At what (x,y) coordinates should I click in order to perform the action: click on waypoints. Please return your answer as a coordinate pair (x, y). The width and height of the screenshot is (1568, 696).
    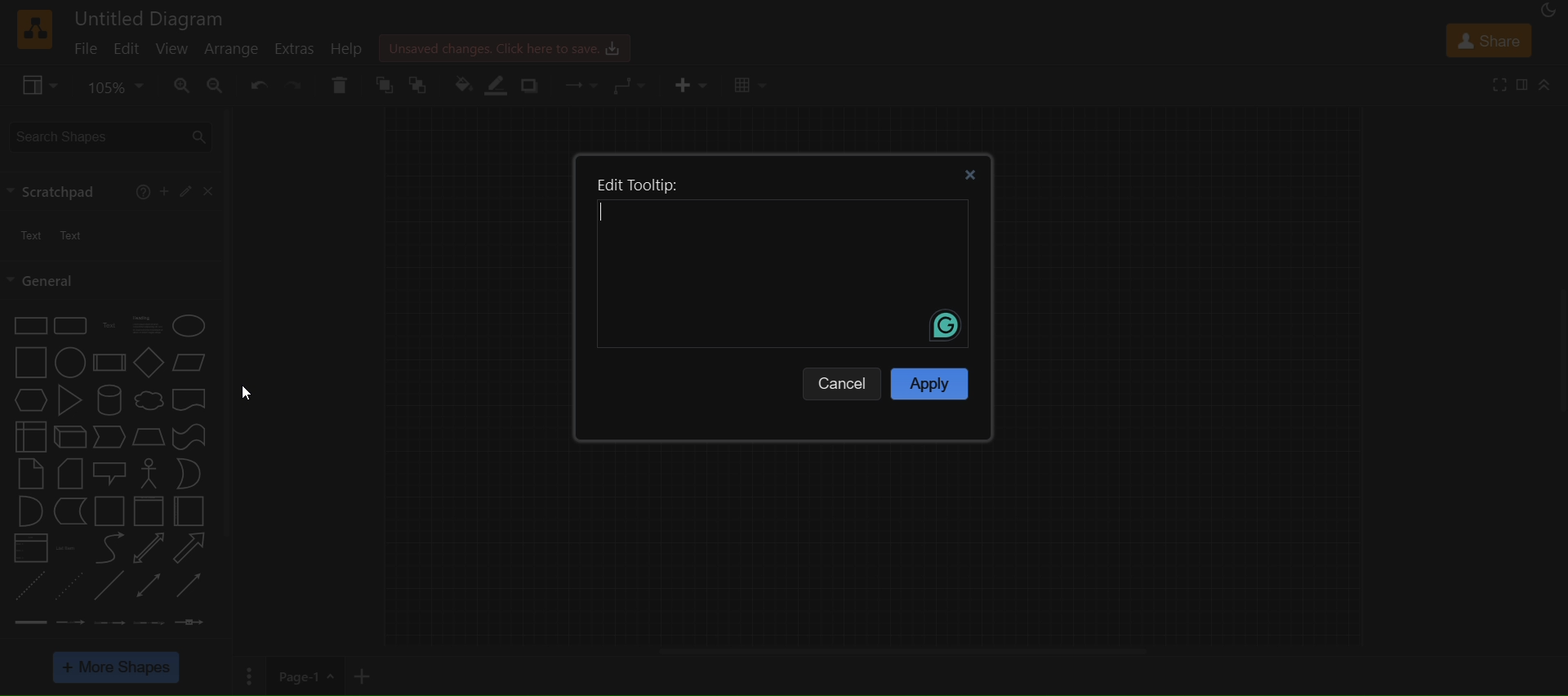
    Looking at the image, I should click on (632, 86).